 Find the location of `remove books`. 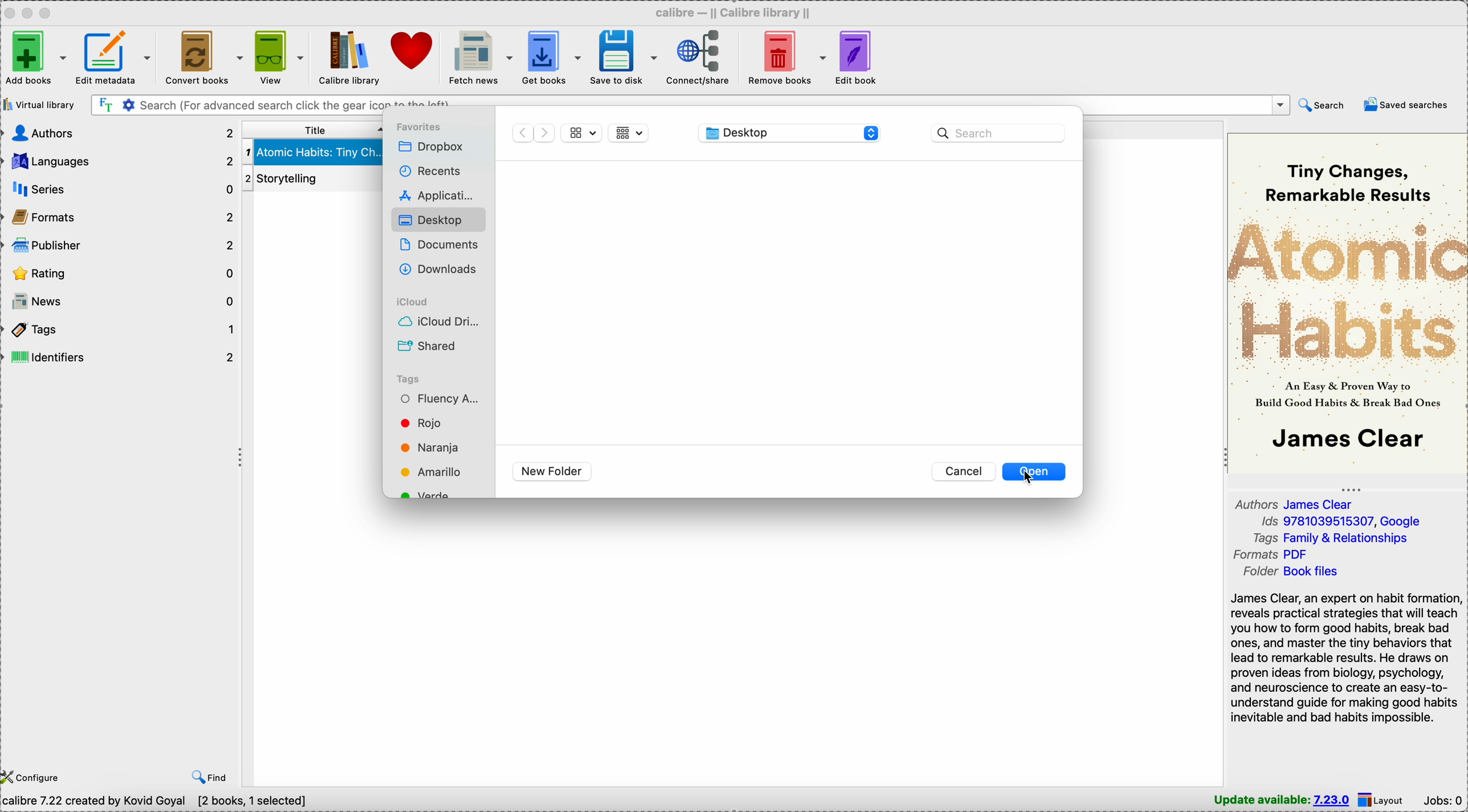

remove books is located at coordinates (784, 56).